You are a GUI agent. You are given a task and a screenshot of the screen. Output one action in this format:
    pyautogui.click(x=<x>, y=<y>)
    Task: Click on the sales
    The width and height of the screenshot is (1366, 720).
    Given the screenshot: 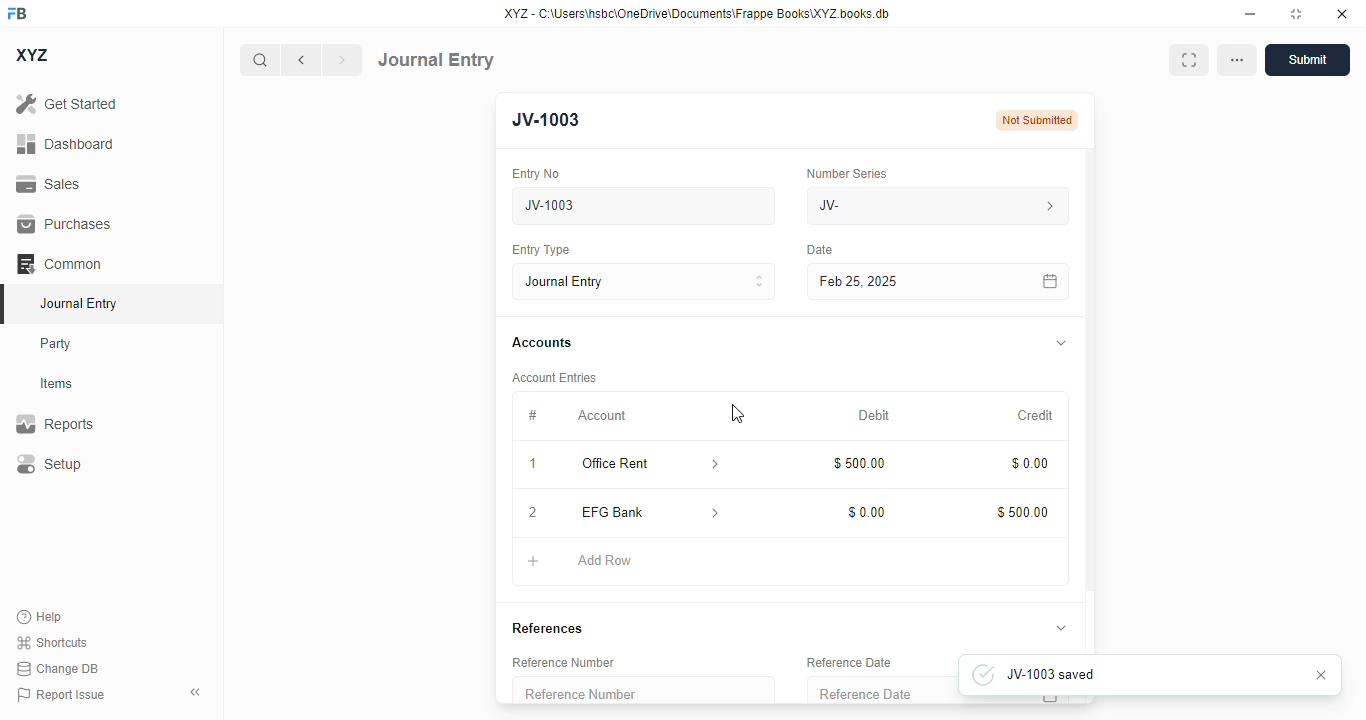 What is the action you would take?
    pyautogui.click(x=51, y=185)
    